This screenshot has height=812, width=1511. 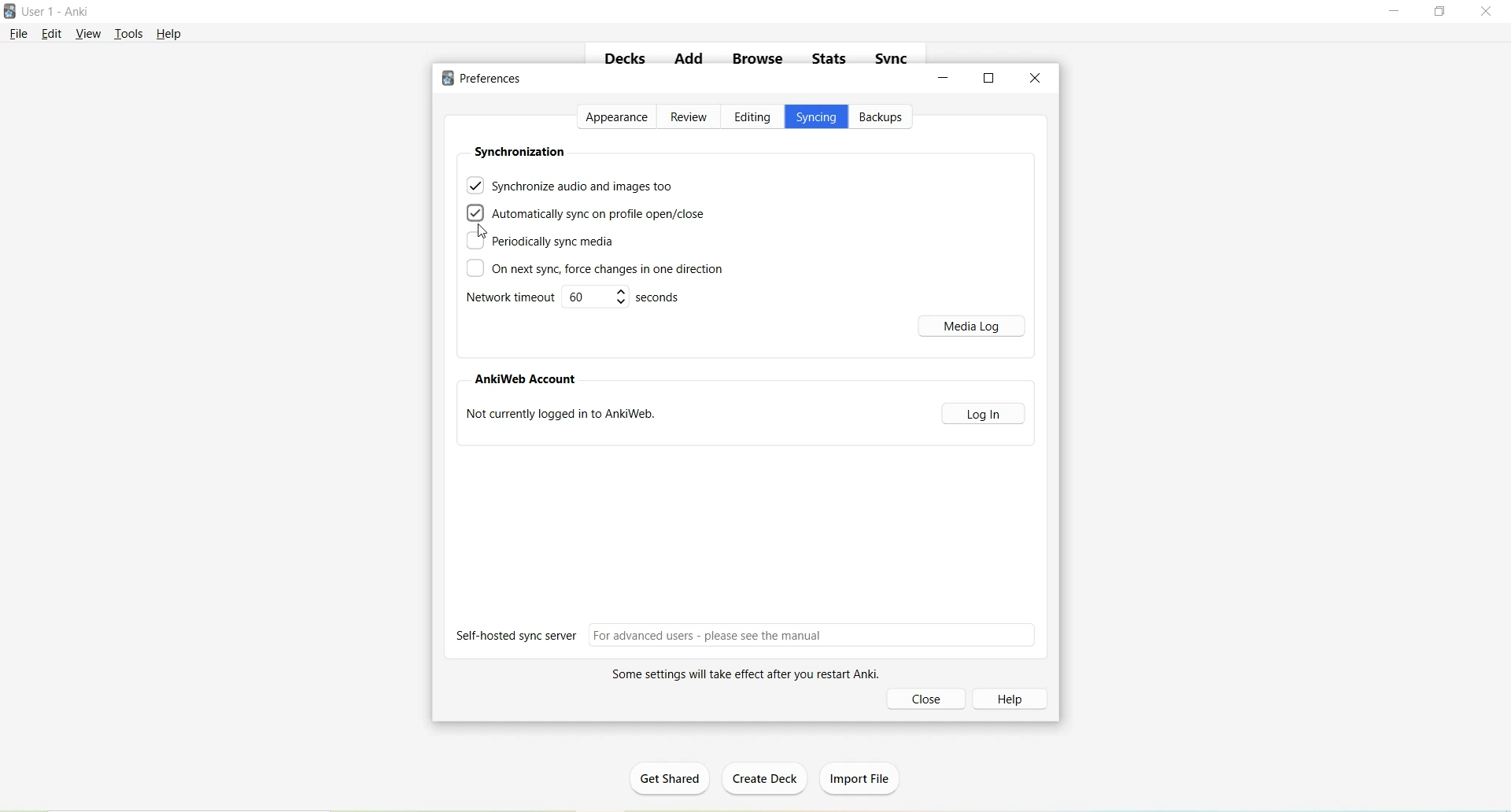 What do you see at coordinates (945, 78) in the screenshot?
I see `Minimize` at bounding box center [945, 78].